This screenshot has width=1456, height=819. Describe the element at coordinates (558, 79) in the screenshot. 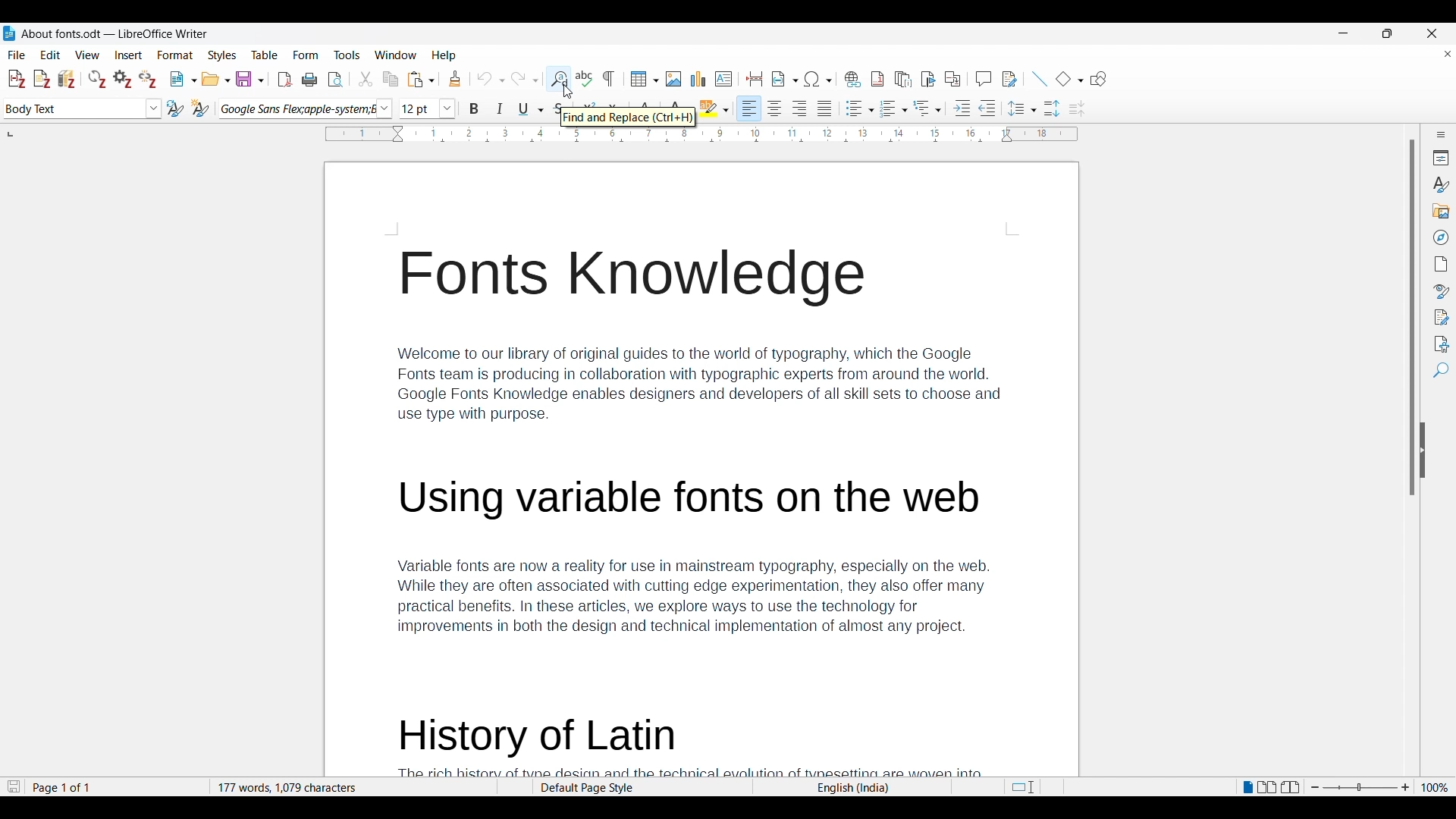

I see `Find and replace` at that location.